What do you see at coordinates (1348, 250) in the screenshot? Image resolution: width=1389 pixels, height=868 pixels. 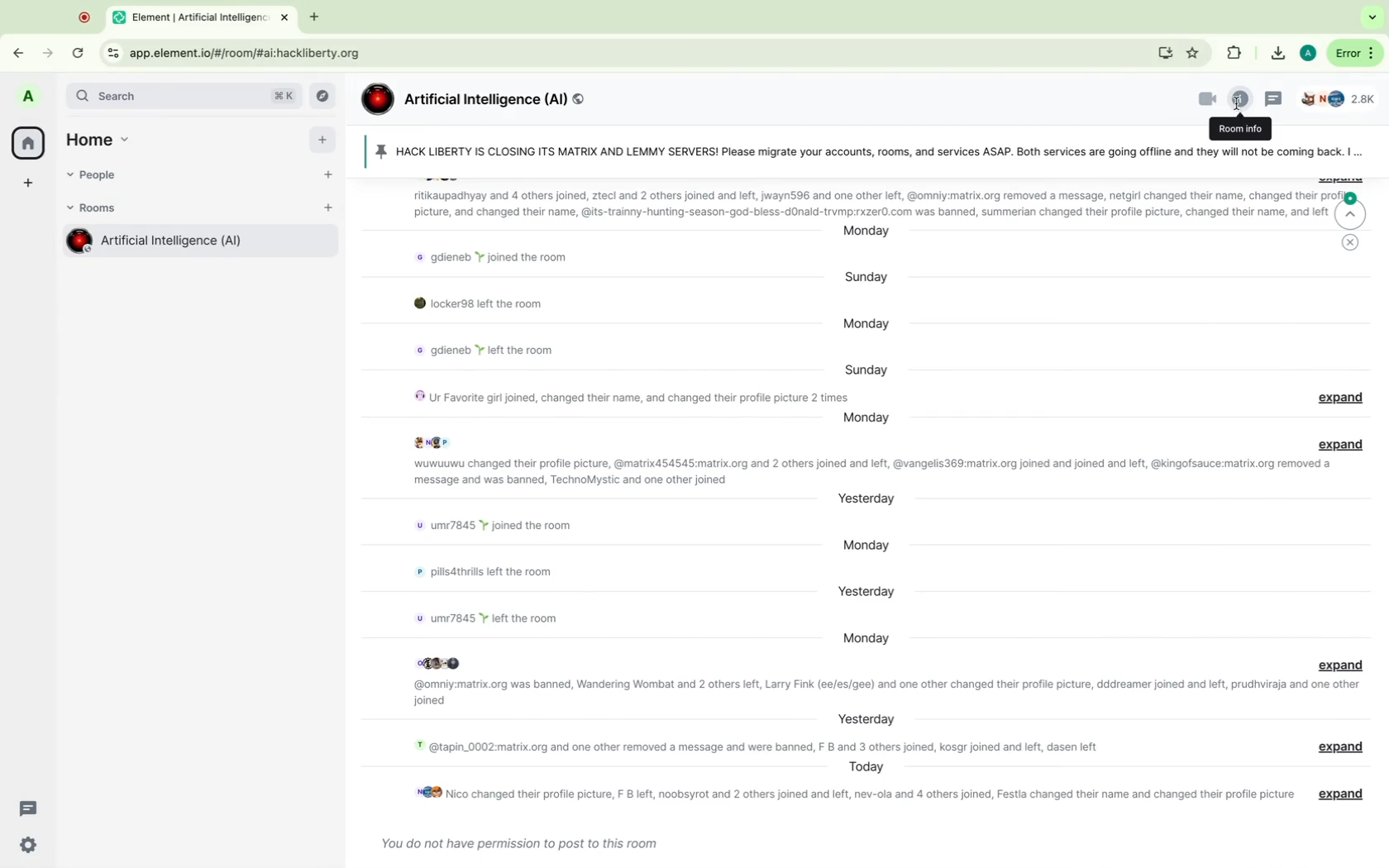 I see `mark all as read` at bounding box center [1348, 250].